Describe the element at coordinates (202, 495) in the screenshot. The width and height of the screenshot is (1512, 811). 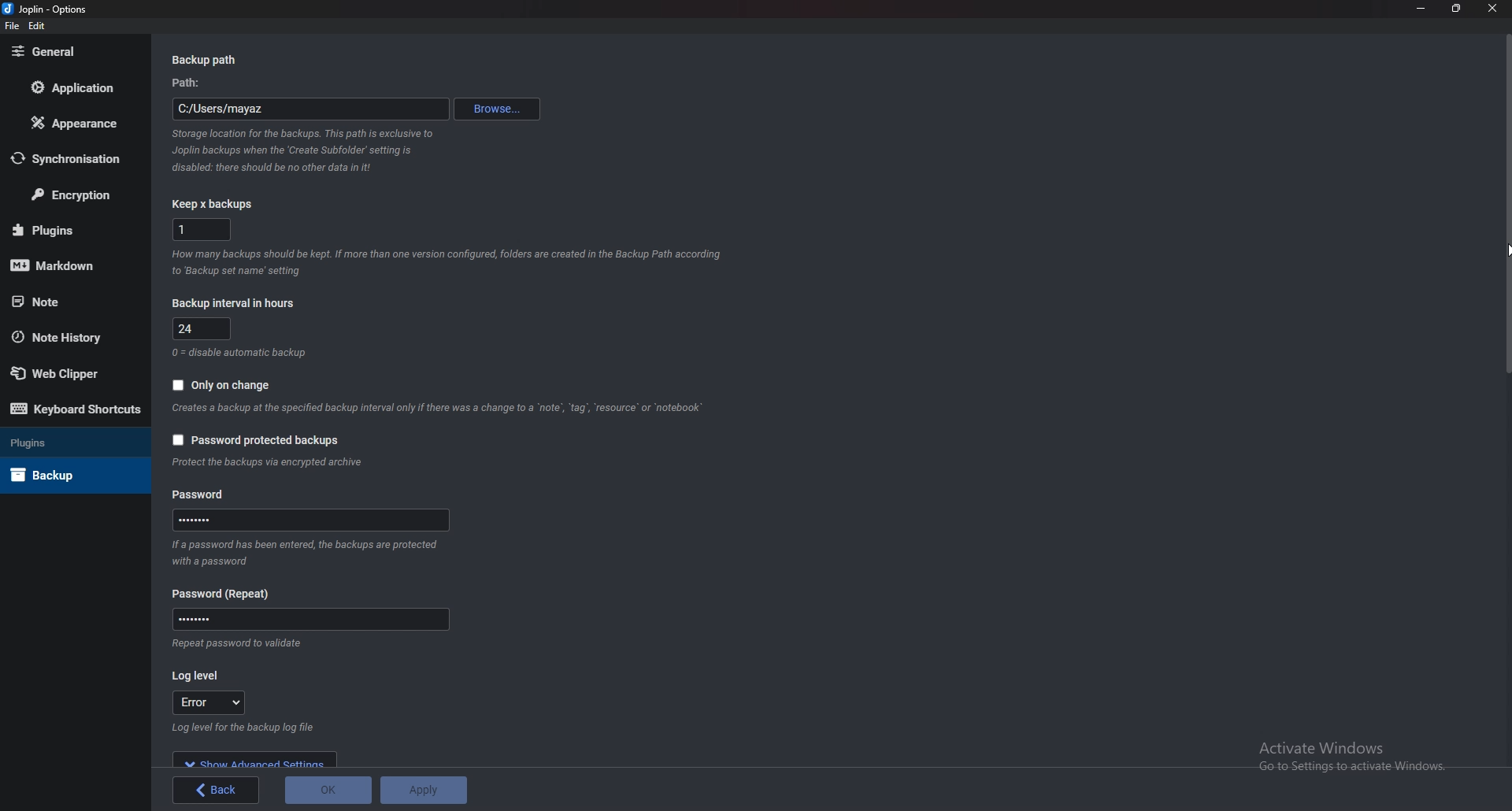
I see `Password` at that location.